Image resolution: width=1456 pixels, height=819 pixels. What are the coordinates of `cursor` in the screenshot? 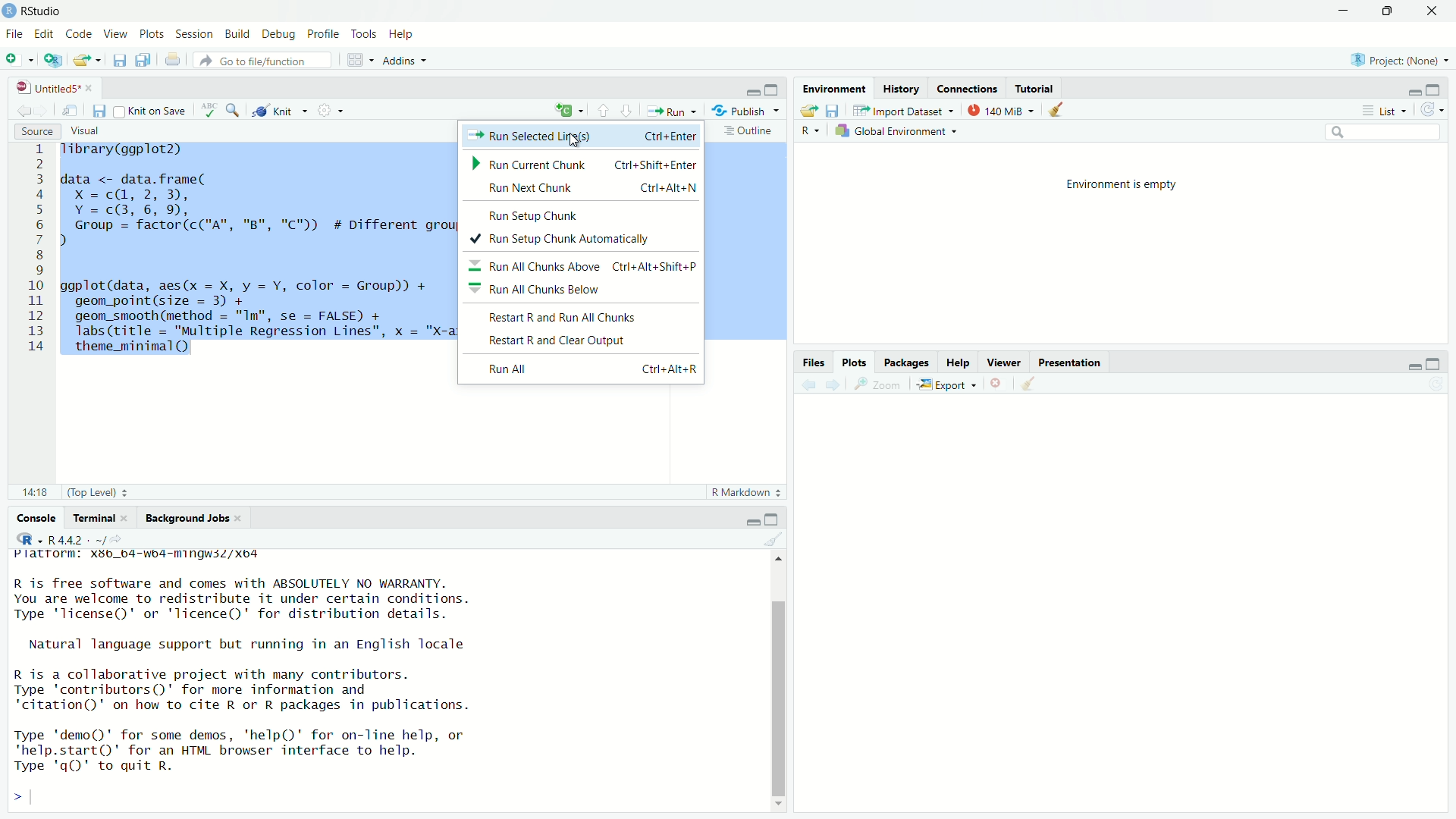 It's located at (577, 142).